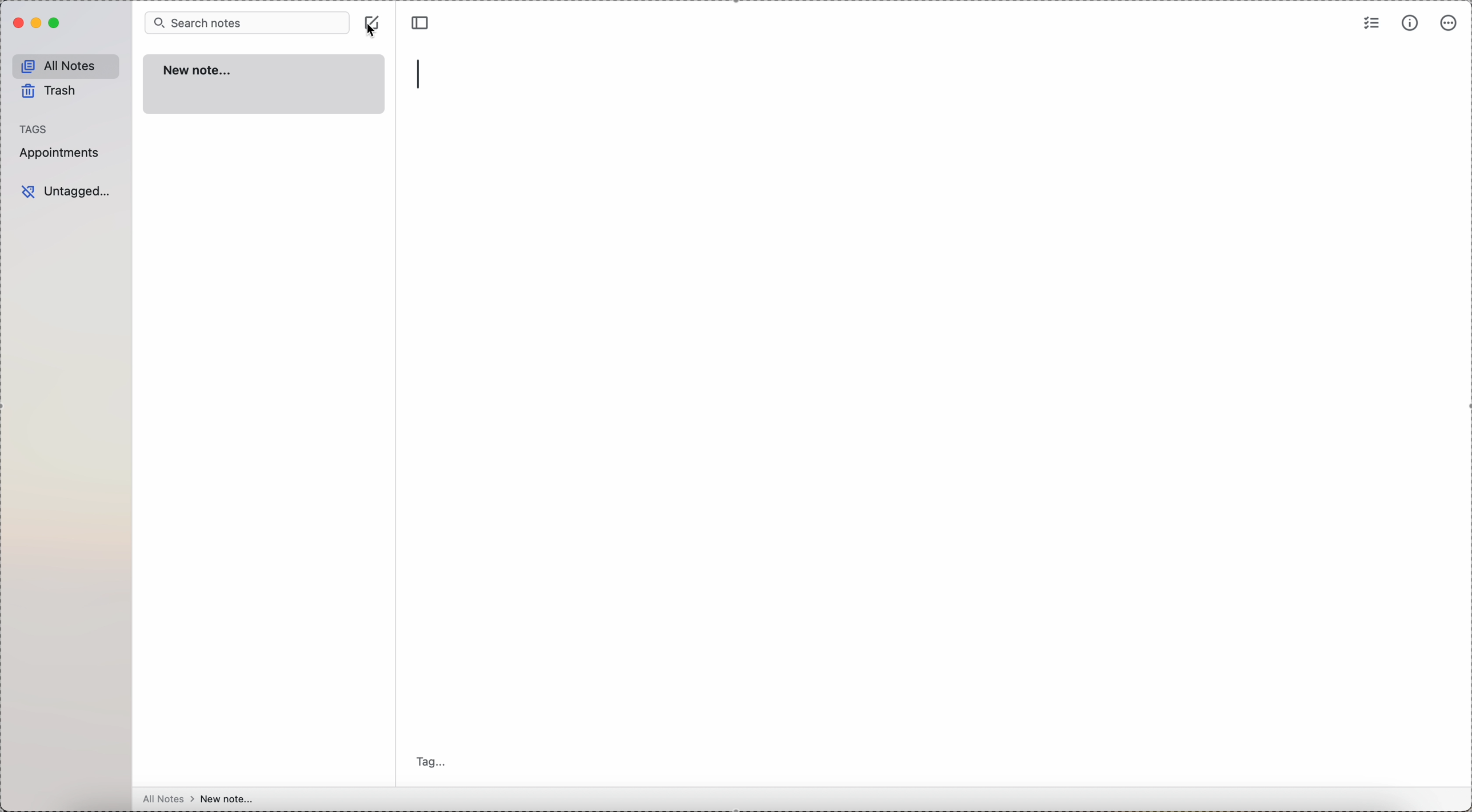 This screenshot has height=812, width=1472. Describe the element at coordinates (62, 153) in the screenshot. I see `appointments` at that location.